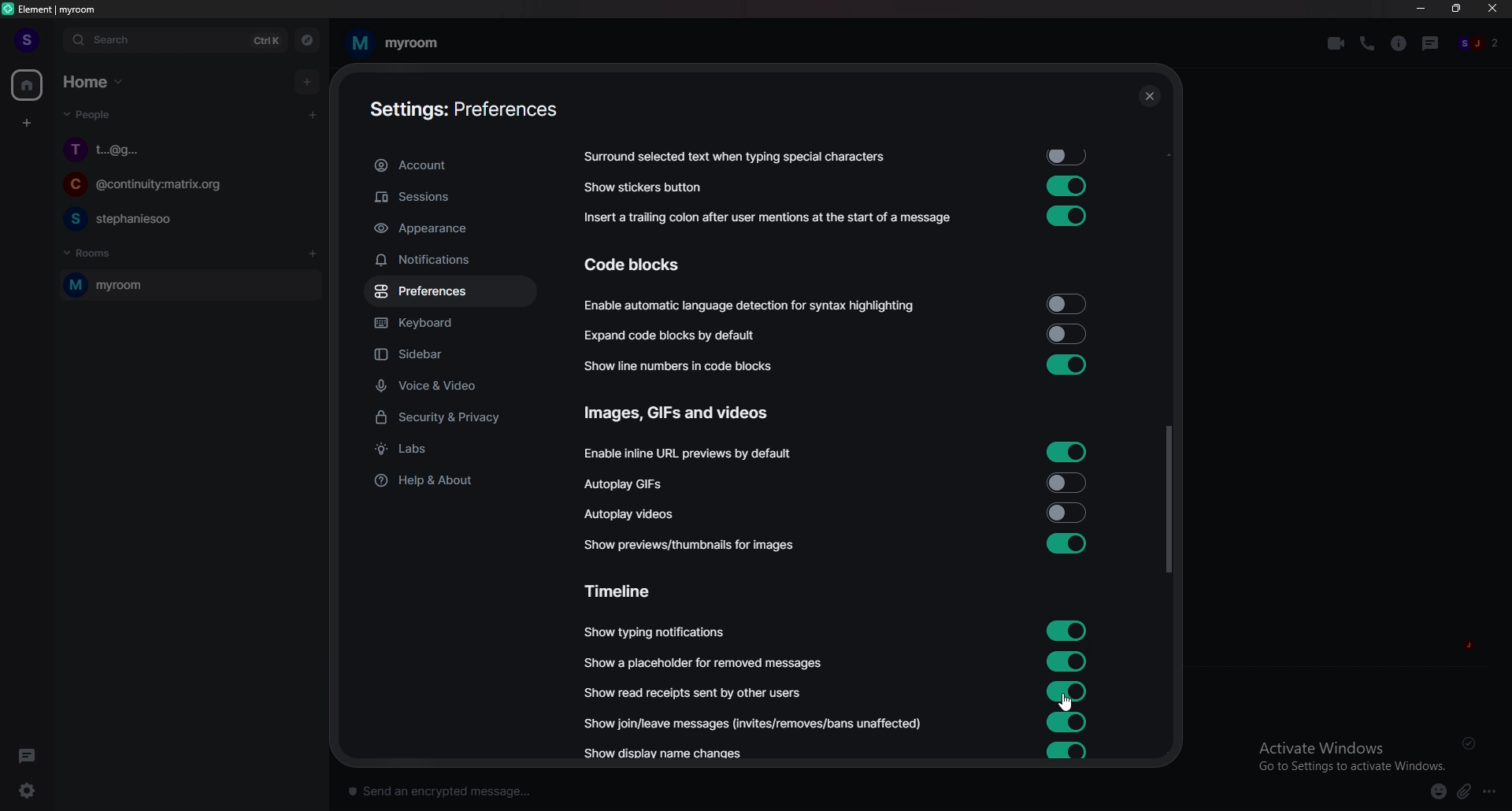 This screenshot has width=1512, height=811. What do you see at coordinates (1493, 12) in the screenshot?
I see `close` at bounding box center [1493, 12].